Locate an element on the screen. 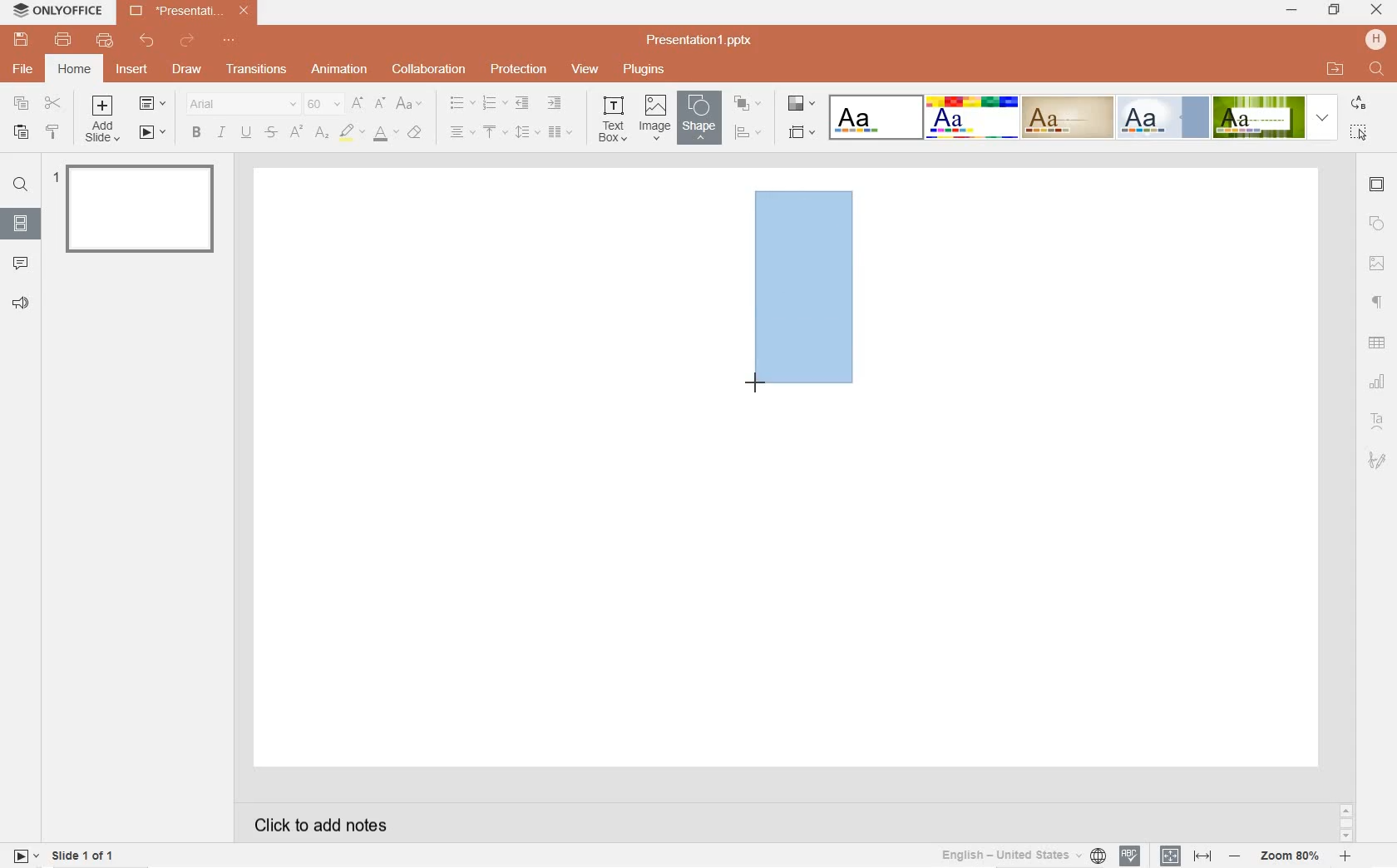  Official is located at coordinates (1163, 117).